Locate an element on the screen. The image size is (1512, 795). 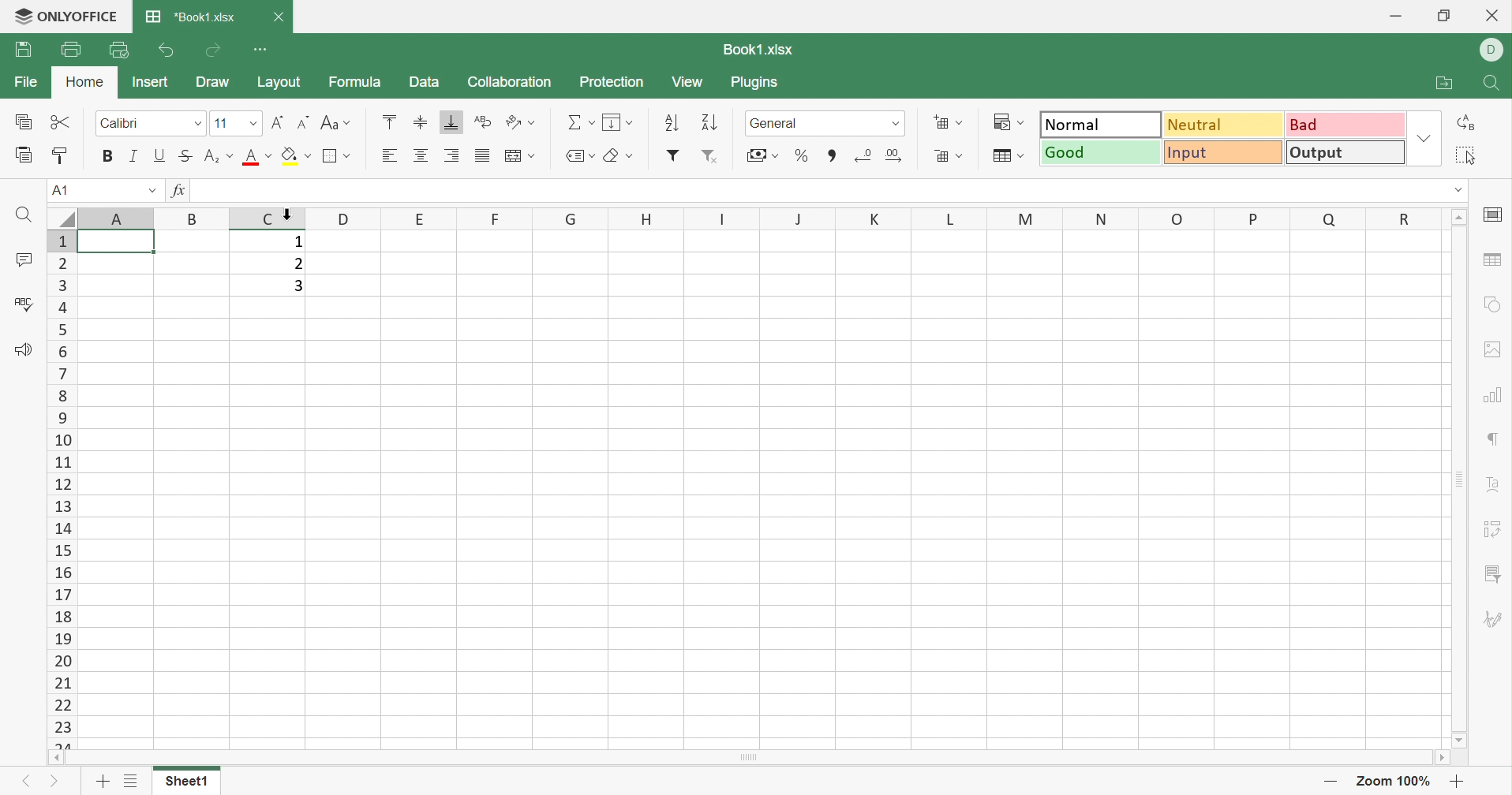
Drop Down is located at coordinates (1460, 189).